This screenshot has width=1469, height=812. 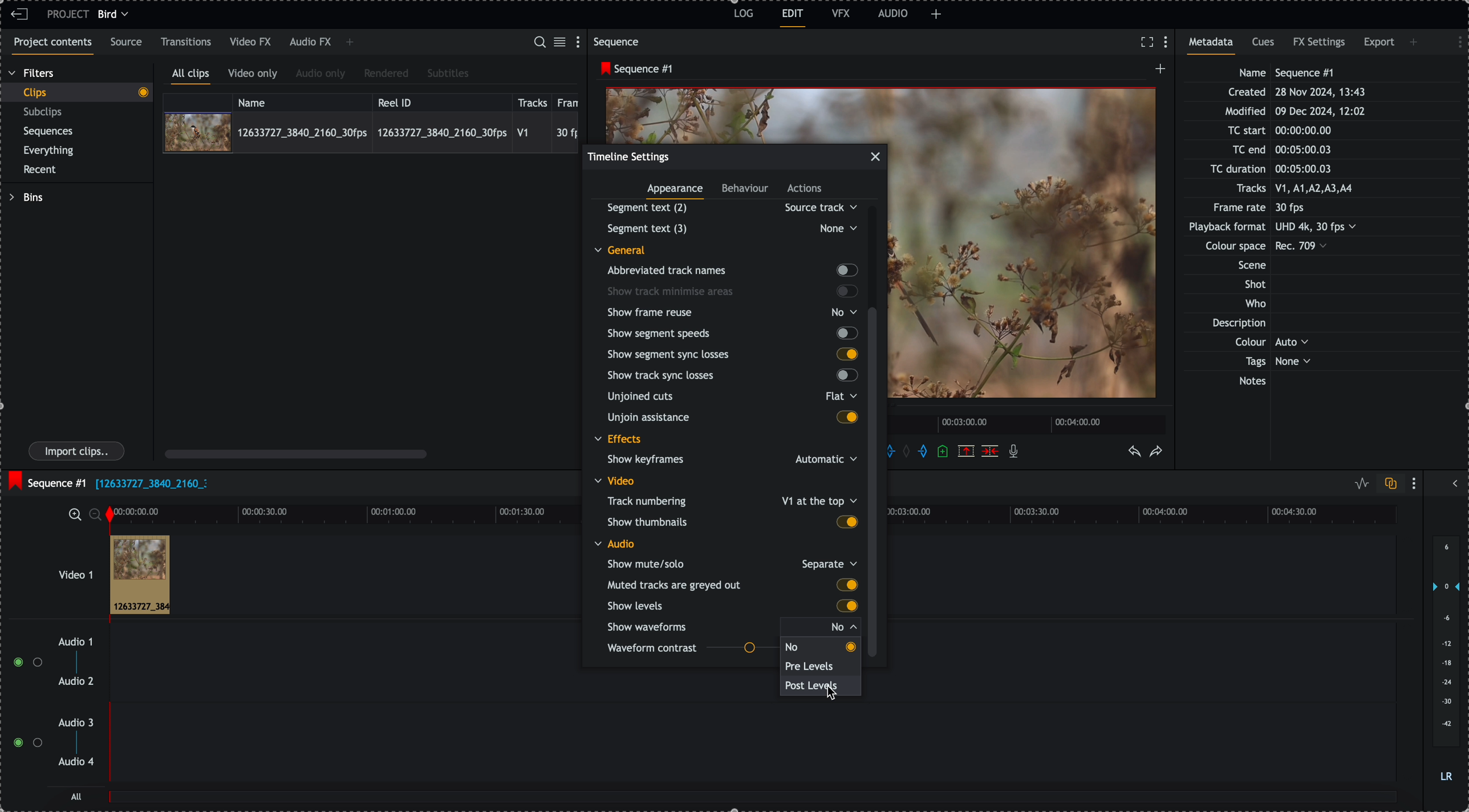 What do you see at coordinates (742, 15) in the screenshot?
I see `log` at bounding box center [742, 15].